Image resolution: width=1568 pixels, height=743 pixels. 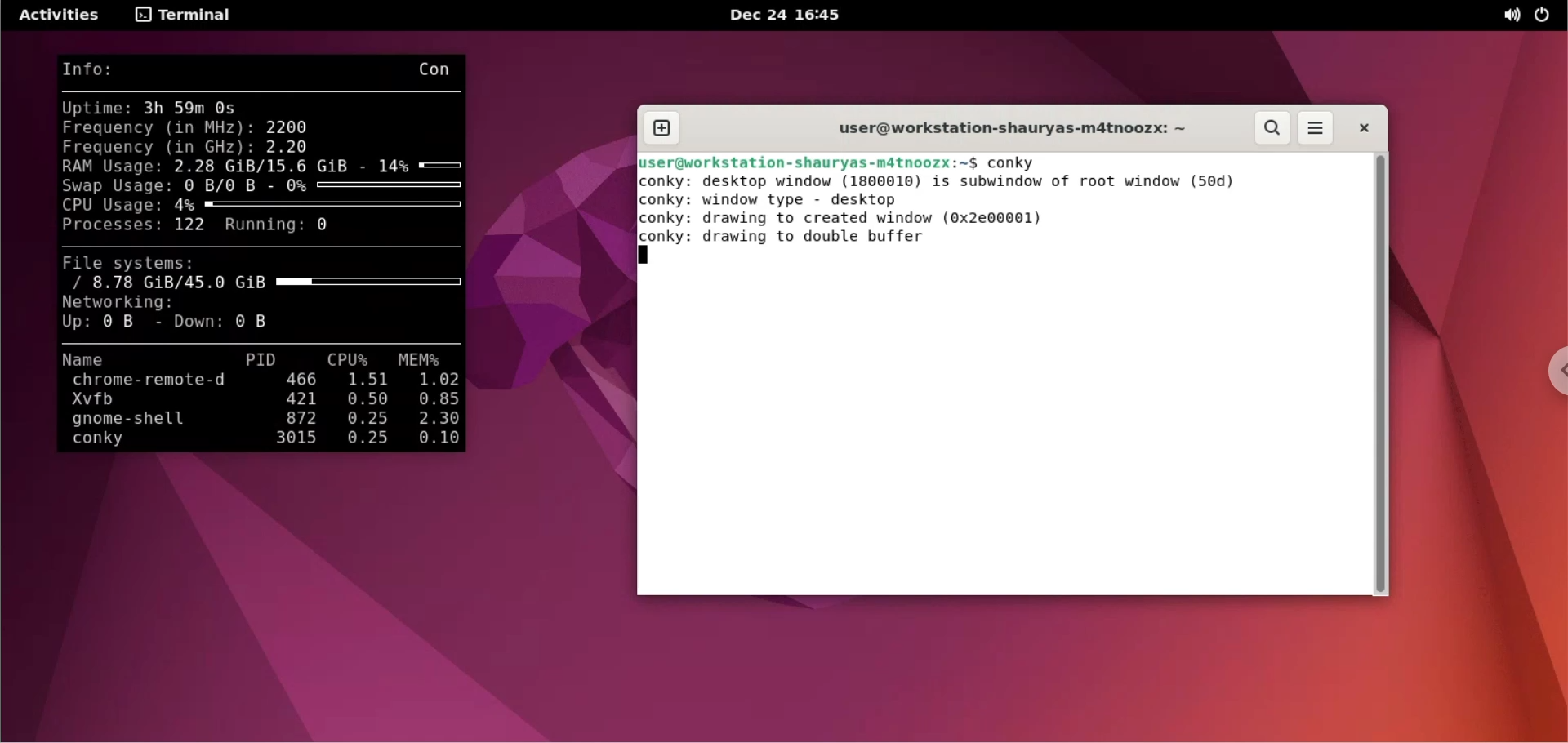 What do you see at coordinates (318, 207) in the screenshot?
I see `cpu usage percentage` at bounding box center [318, 207].